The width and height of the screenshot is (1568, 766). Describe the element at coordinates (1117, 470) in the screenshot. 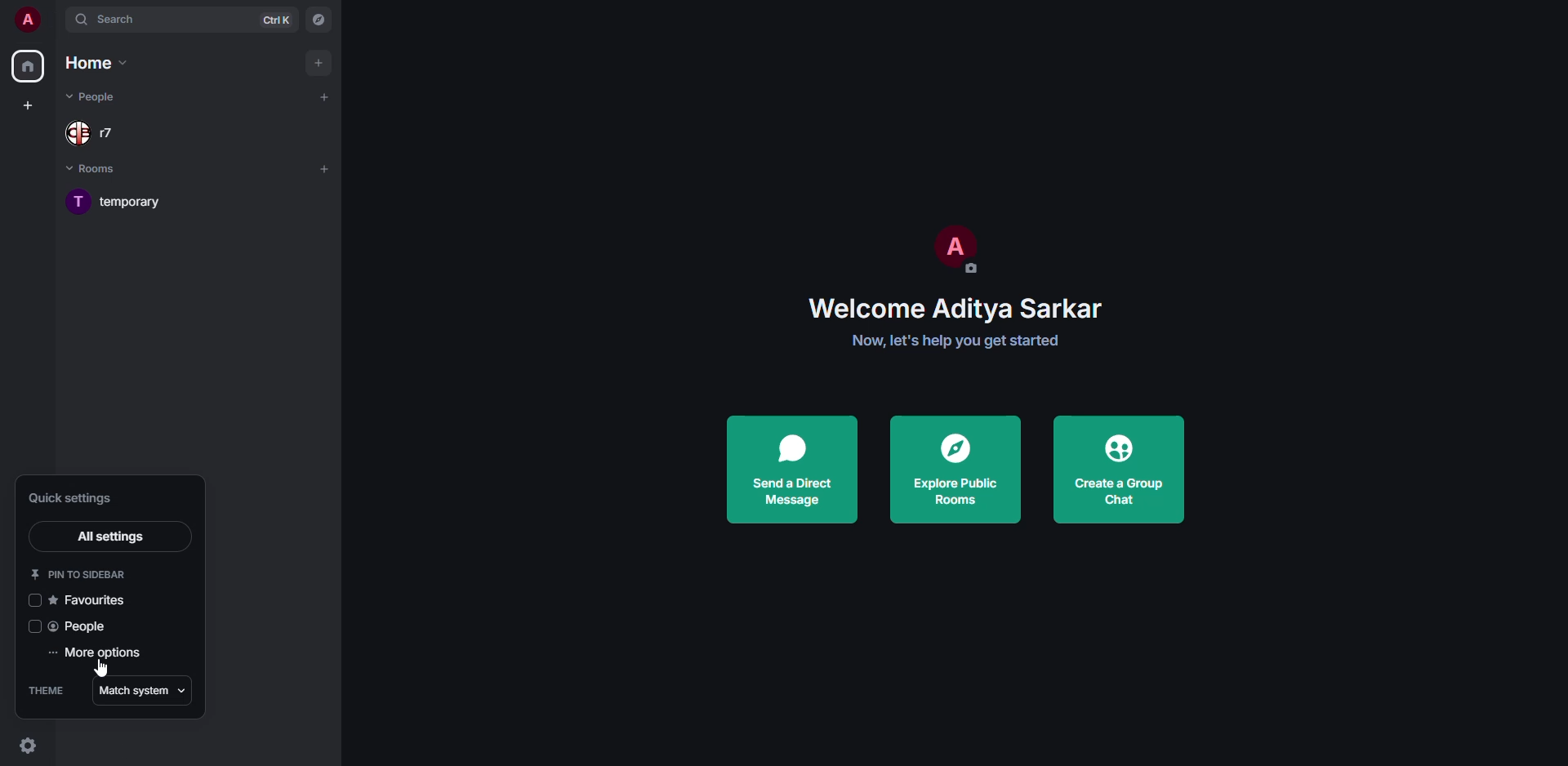

I see `create a group chat` at that location.